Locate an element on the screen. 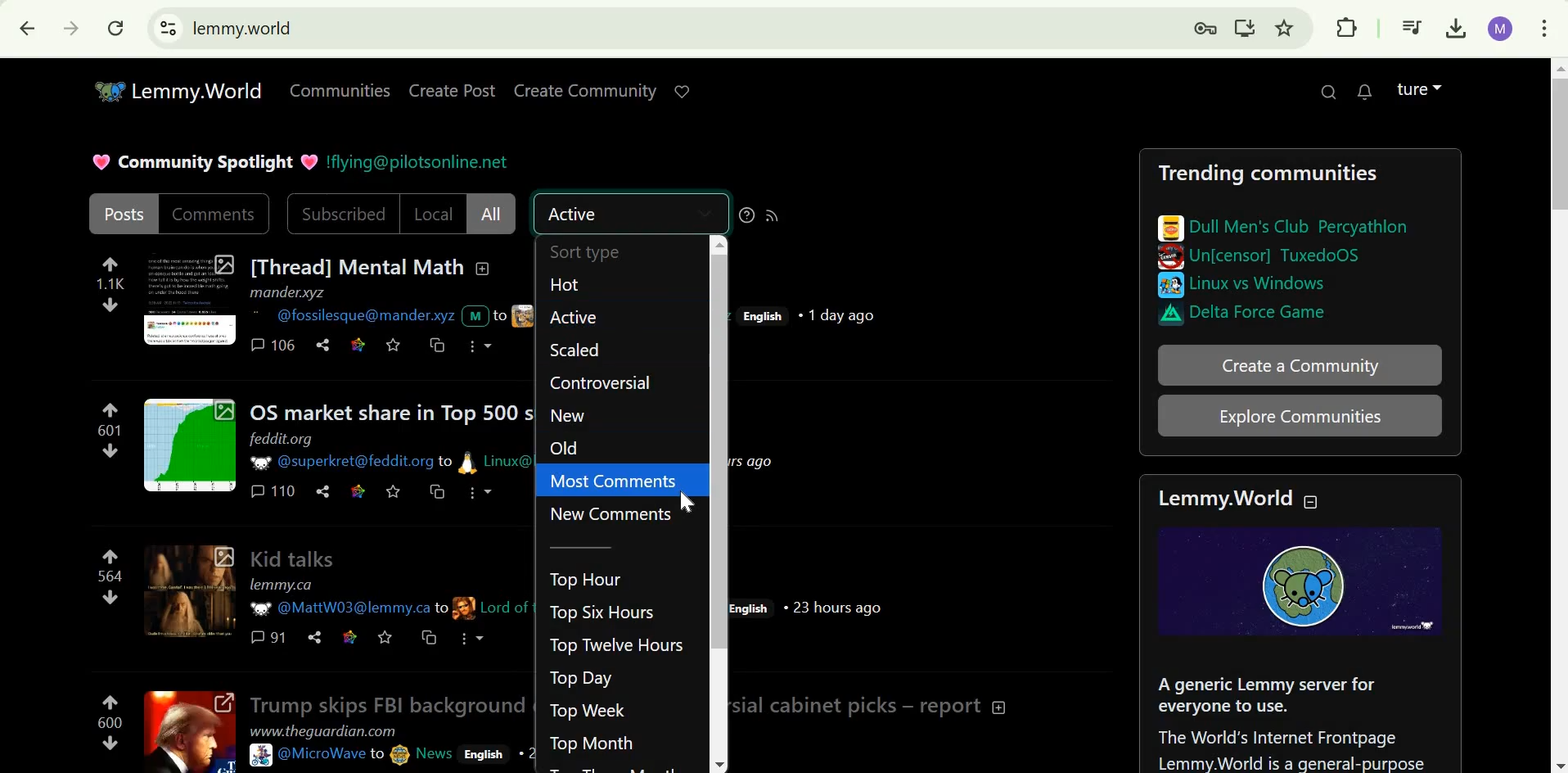 The image size is (1568, 773). COntroversial is located at coordinates (604, 382).